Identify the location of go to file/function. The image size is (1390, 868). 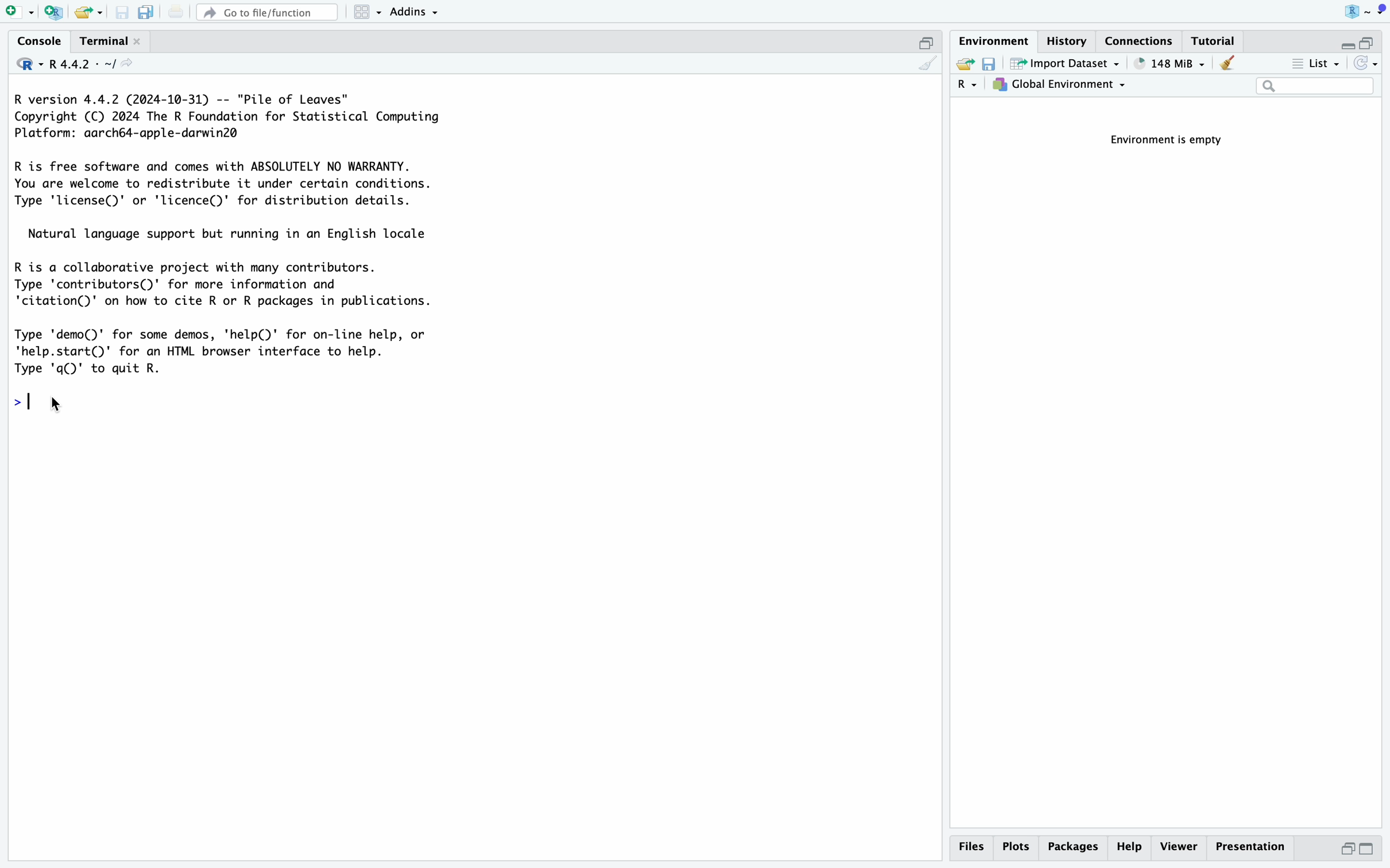
(266, 10).